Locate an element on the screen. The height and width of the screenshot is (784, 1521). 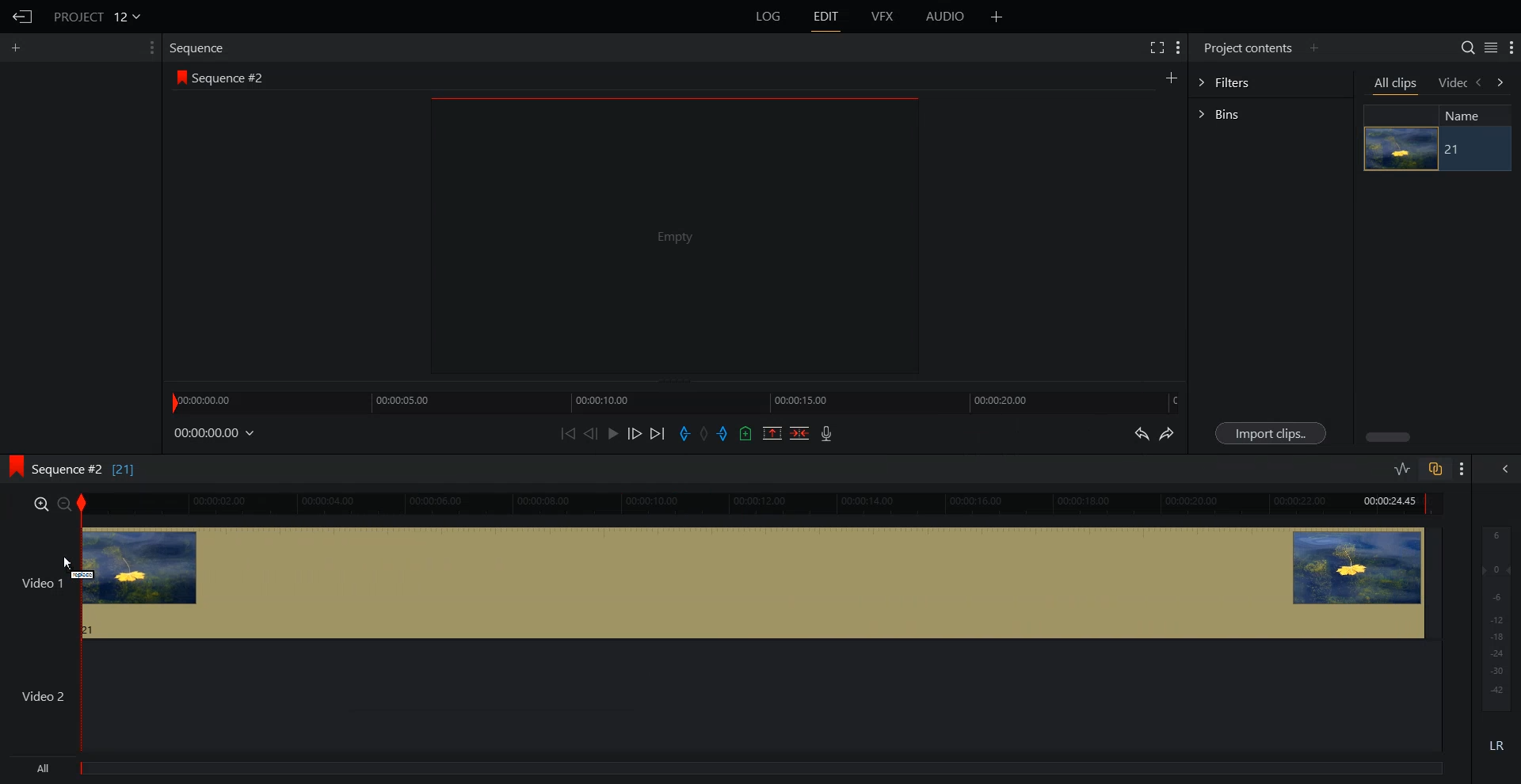
Search is located at coordinates (1461, 46).